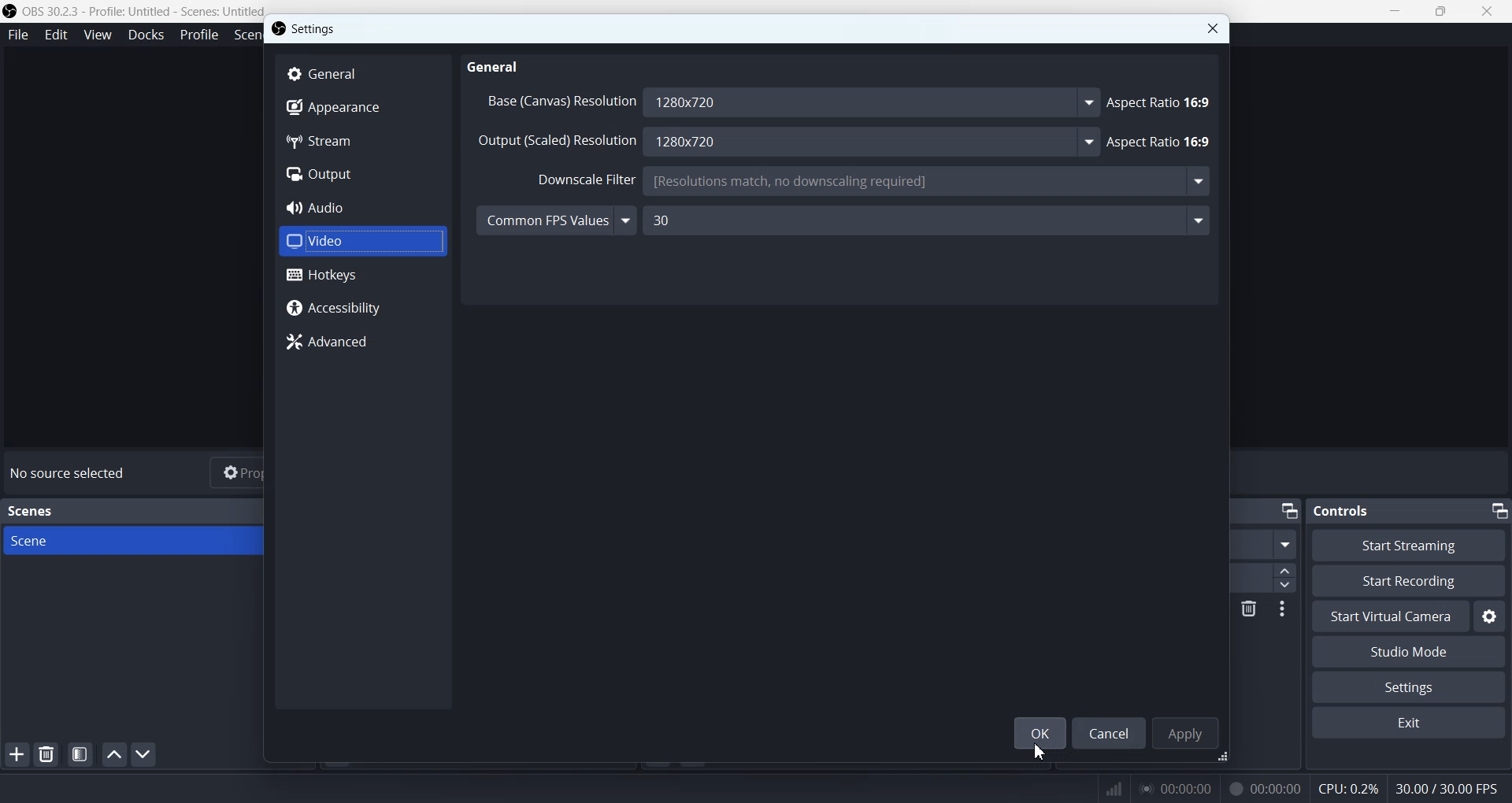  I want to click on Aspect Ratio 16:9, so click(1161, 142).